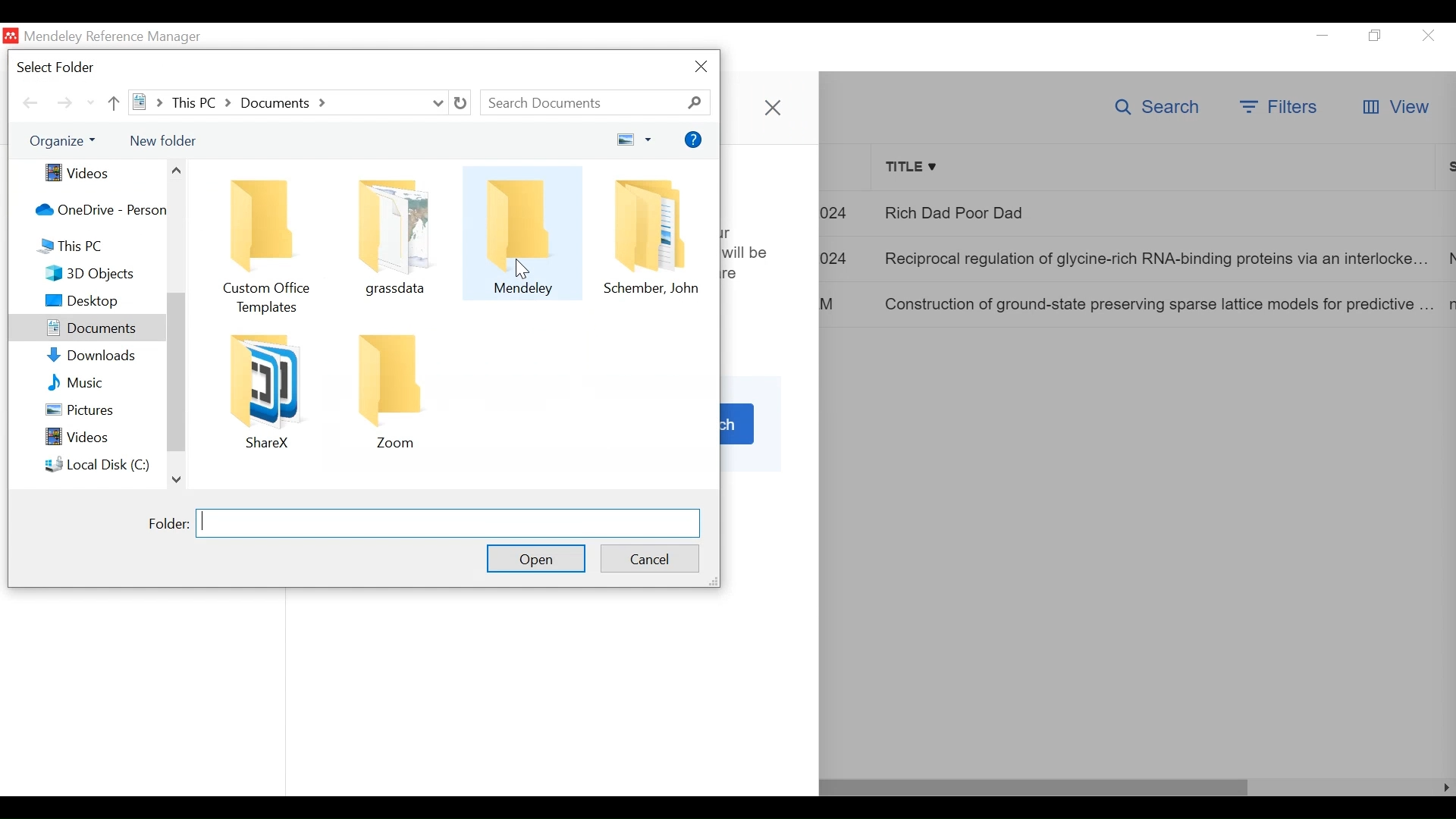 The height and width of the screenshot is (819, 1456). Describe the element at coordinates (462, 102) in the screenshot. I see `Refresh` at that location.